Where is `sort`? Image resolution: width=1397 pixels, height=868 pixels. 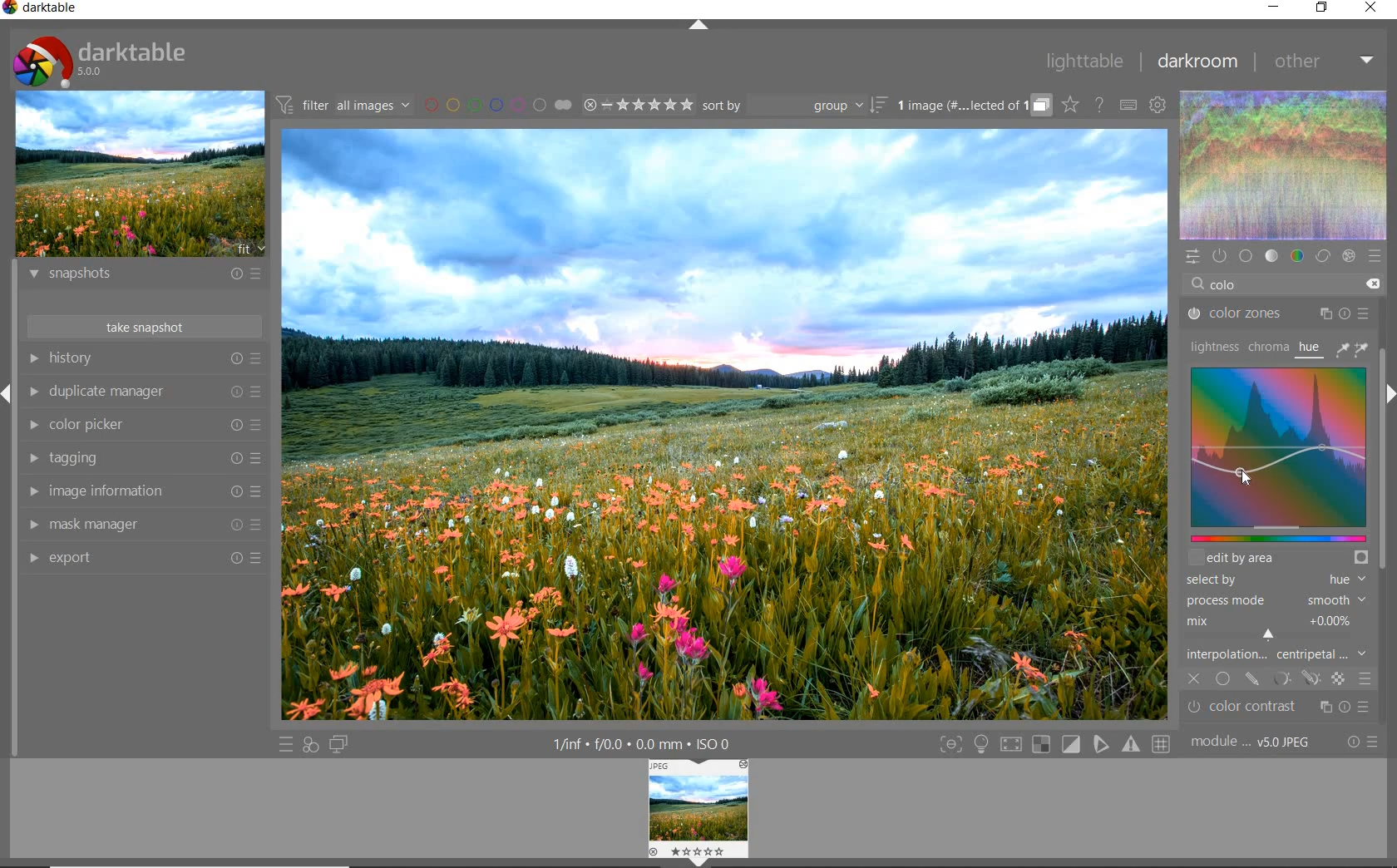 sort is located at coordinates (793, 107).